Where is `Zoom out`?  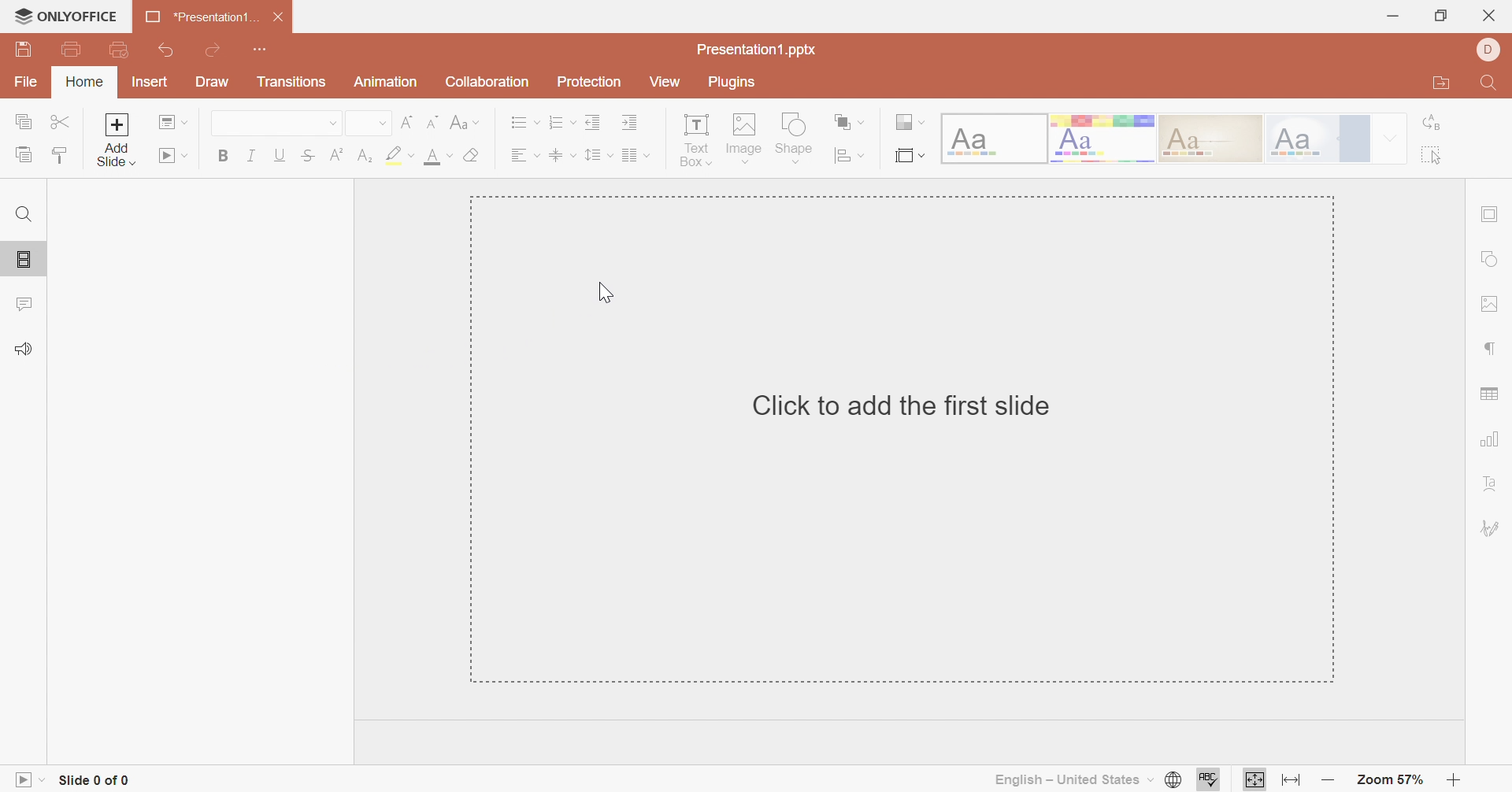 Zoom out is located at coordinates (1330, 783).